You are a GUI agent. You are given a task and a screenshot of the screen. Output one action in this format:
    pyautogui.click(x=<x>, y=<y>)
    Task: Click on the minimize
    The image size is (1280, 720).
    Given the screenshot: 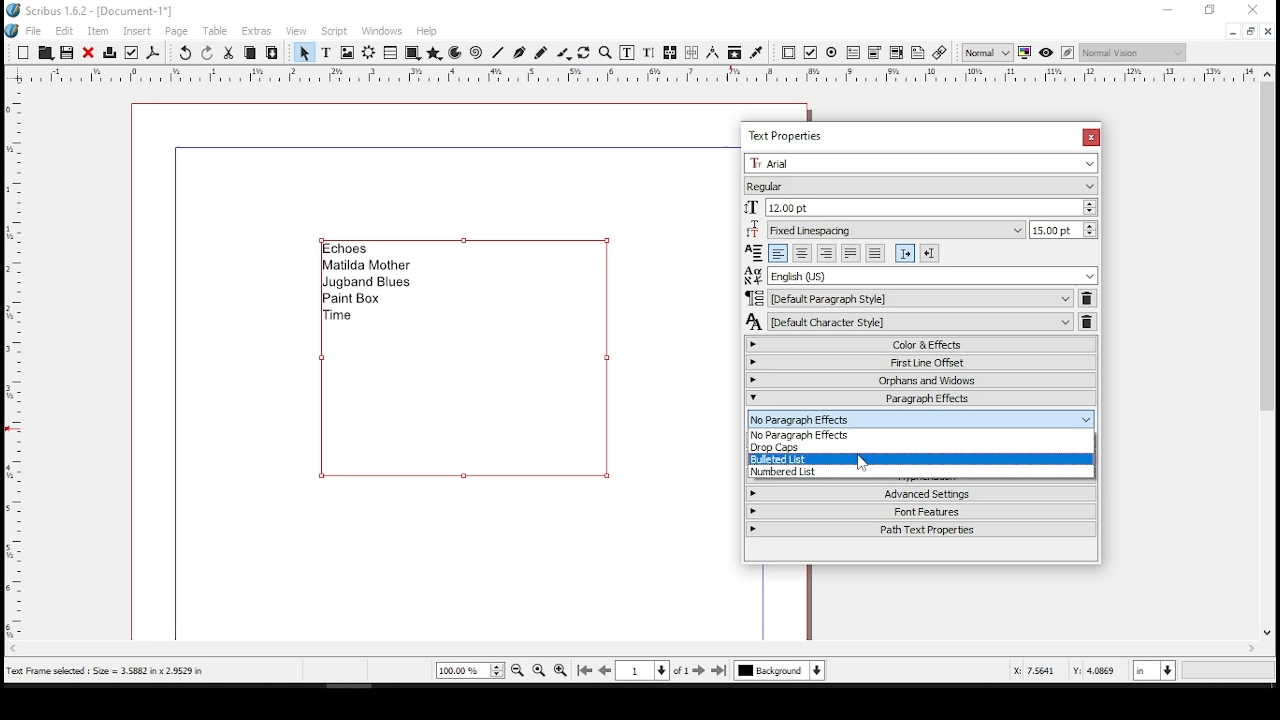 What is the action you would take?
    pyautogui.click(x=1169, y=10)
    